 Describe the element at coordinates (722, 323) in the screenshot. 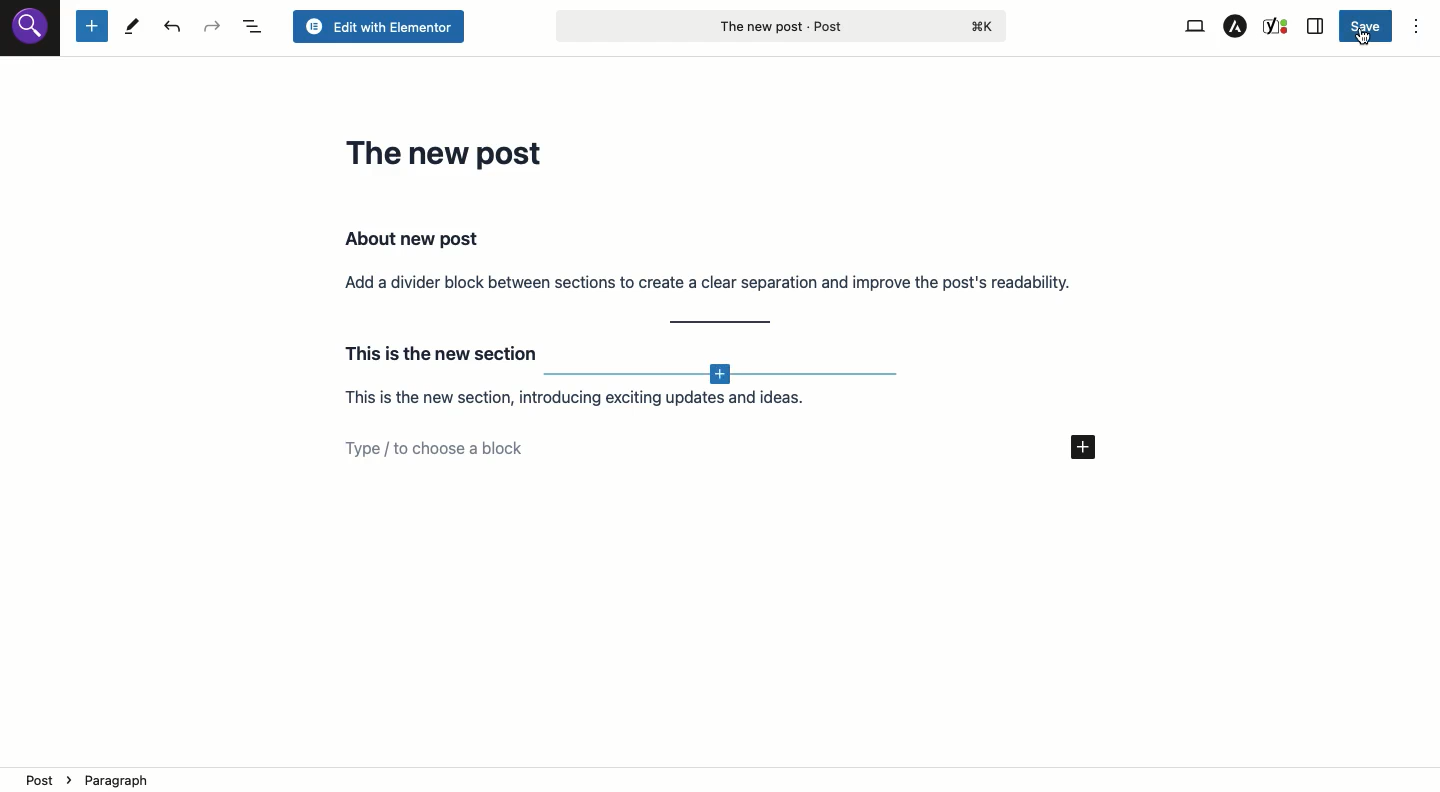

I see `Separator` at that location.